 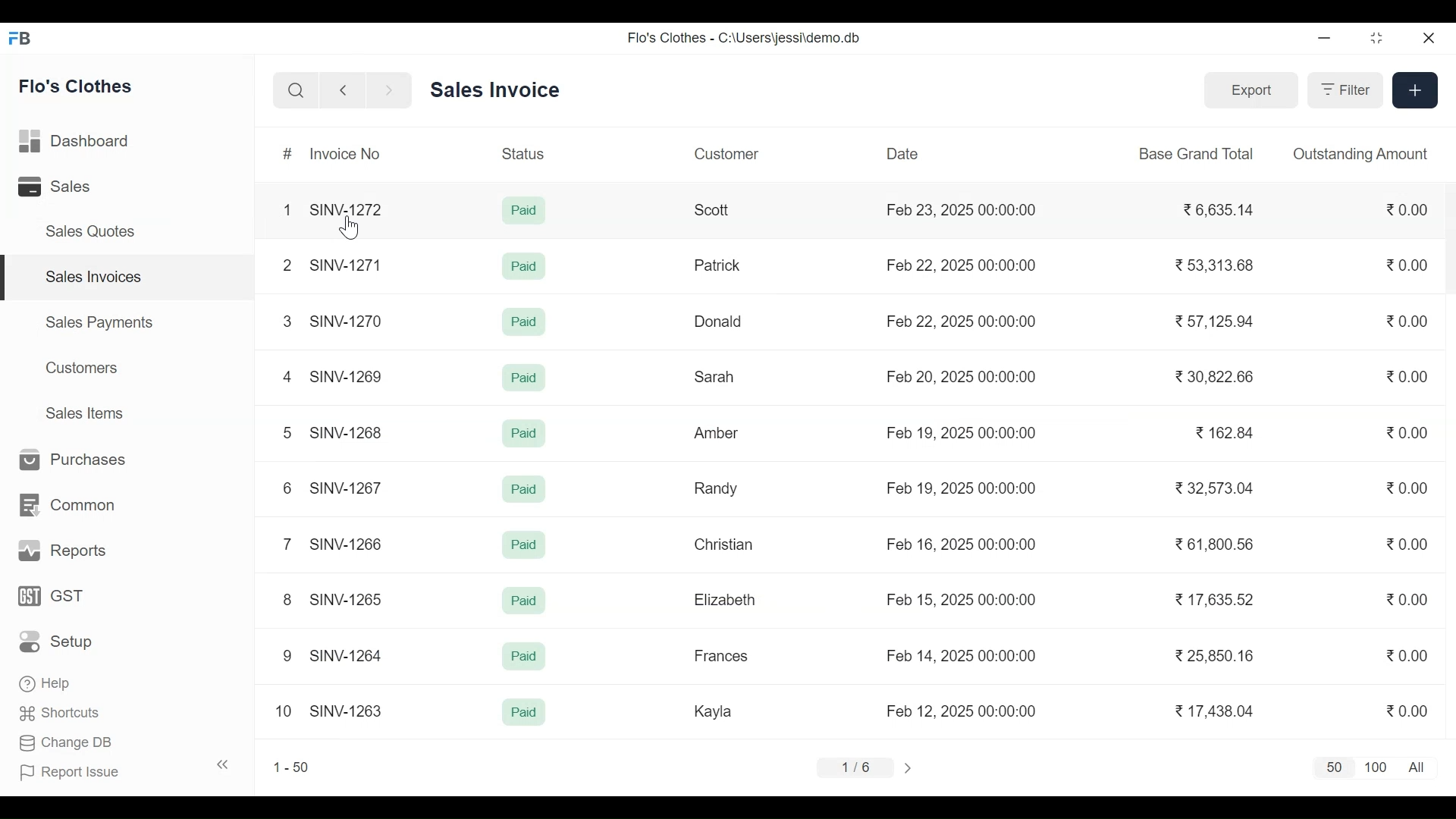 I want to click on Paid, so click(x=525, y=321).